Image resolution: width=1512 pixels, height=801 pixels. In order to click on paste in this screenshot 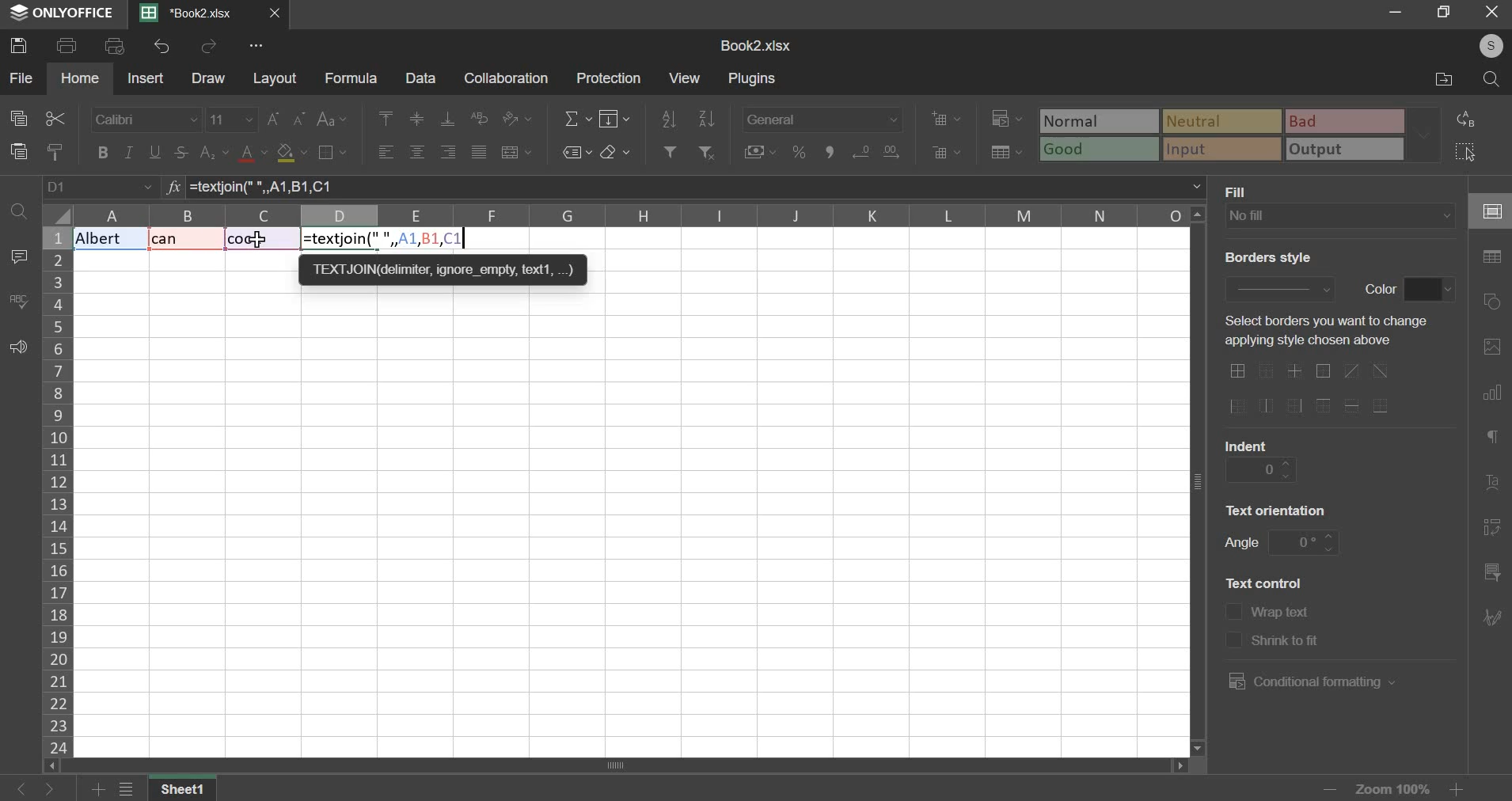, I will do `click(19, 151)`.